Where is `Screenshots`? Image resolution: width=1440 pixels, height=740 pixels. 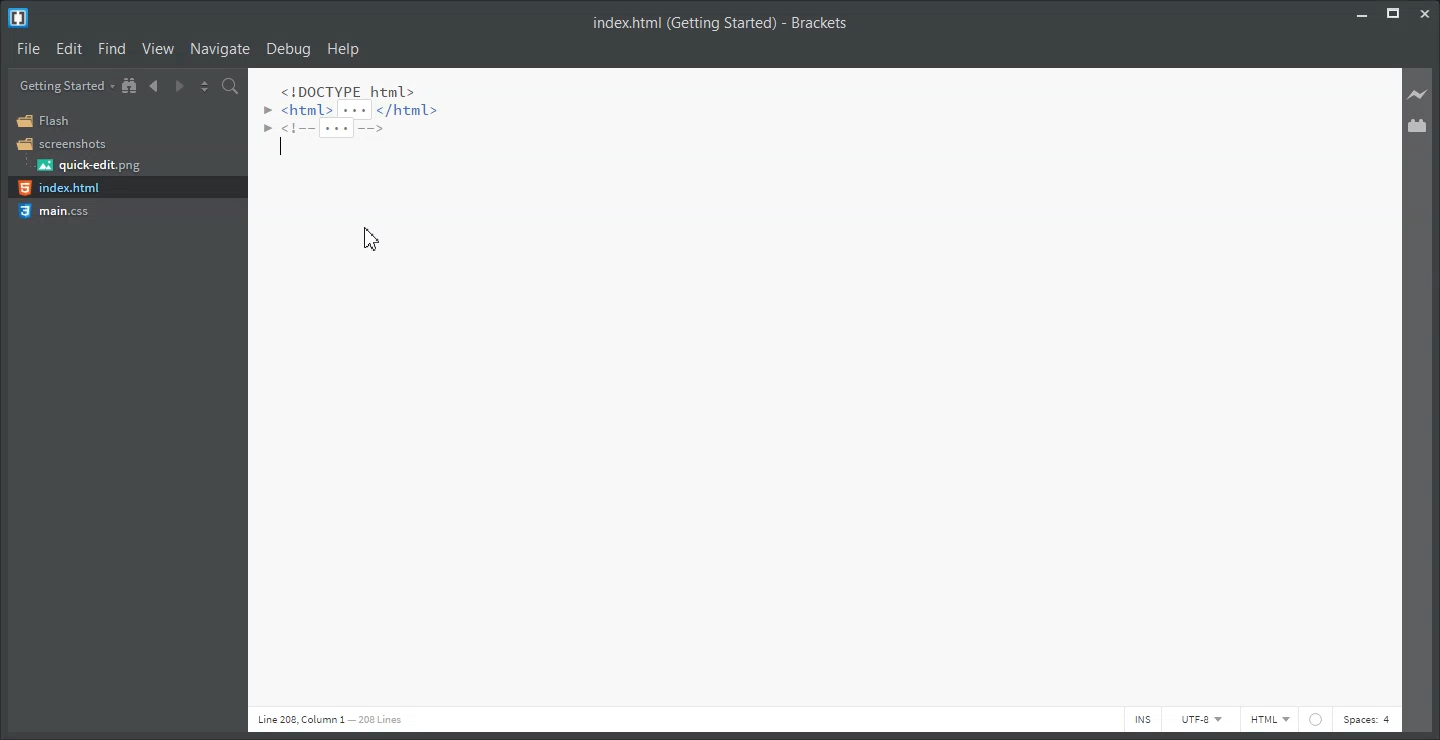 Screenshots is located at coordinates (62, 144).